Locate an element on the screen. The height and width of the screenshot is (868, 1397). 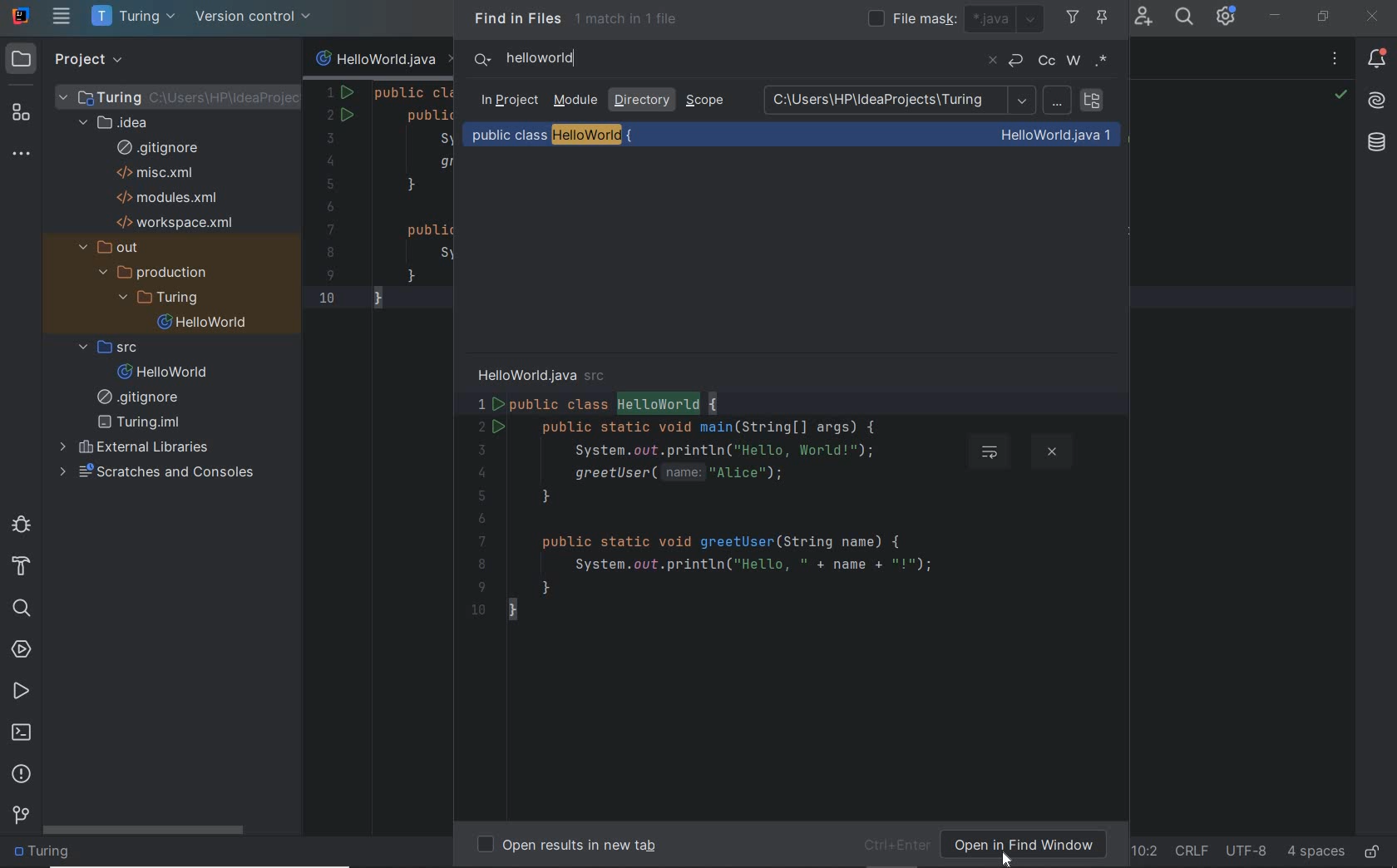
regex is located at coordinates (1104, 61).